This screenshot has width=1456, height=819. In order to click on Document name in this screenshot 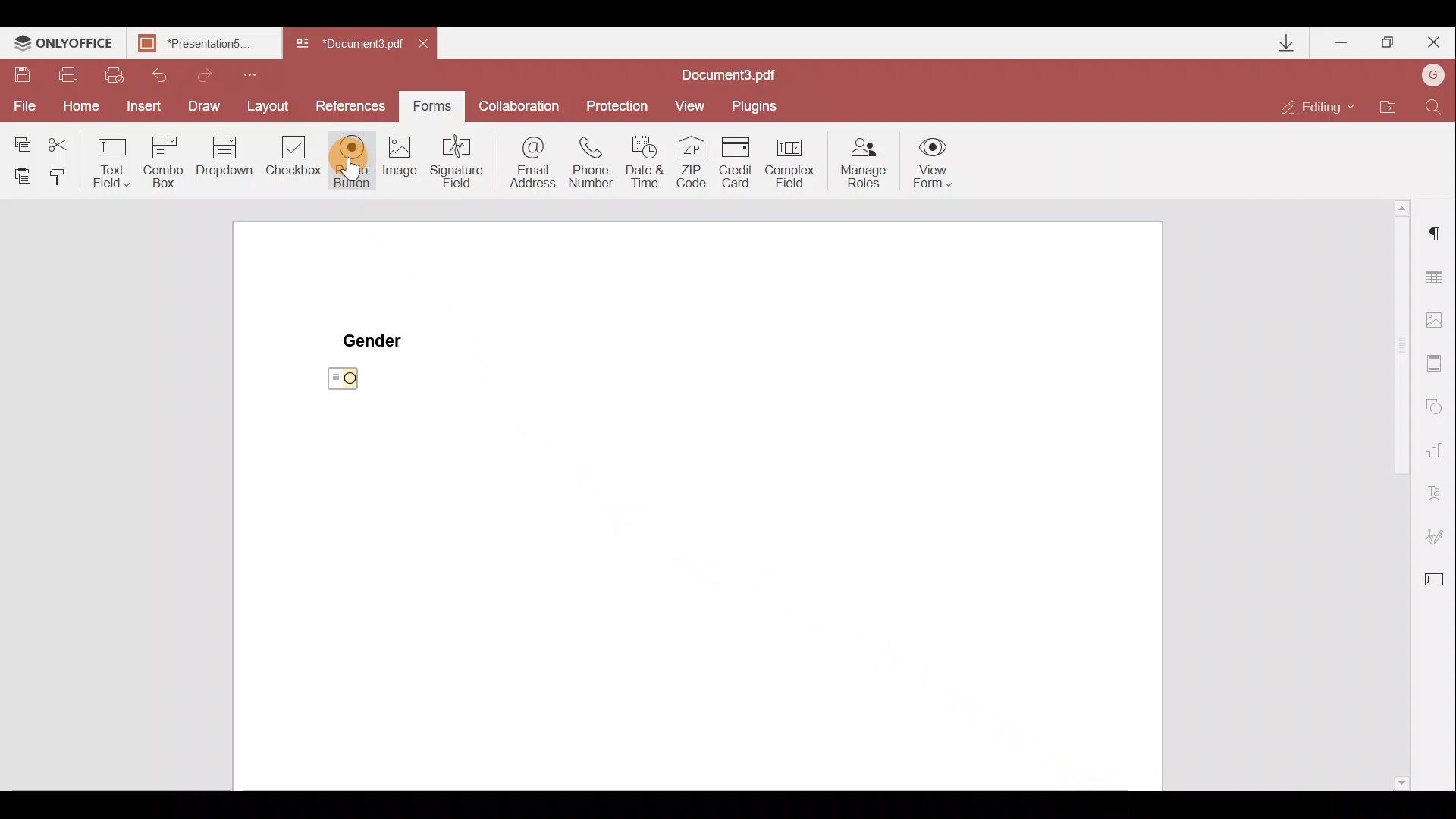, I will do `click(352, 44)`.